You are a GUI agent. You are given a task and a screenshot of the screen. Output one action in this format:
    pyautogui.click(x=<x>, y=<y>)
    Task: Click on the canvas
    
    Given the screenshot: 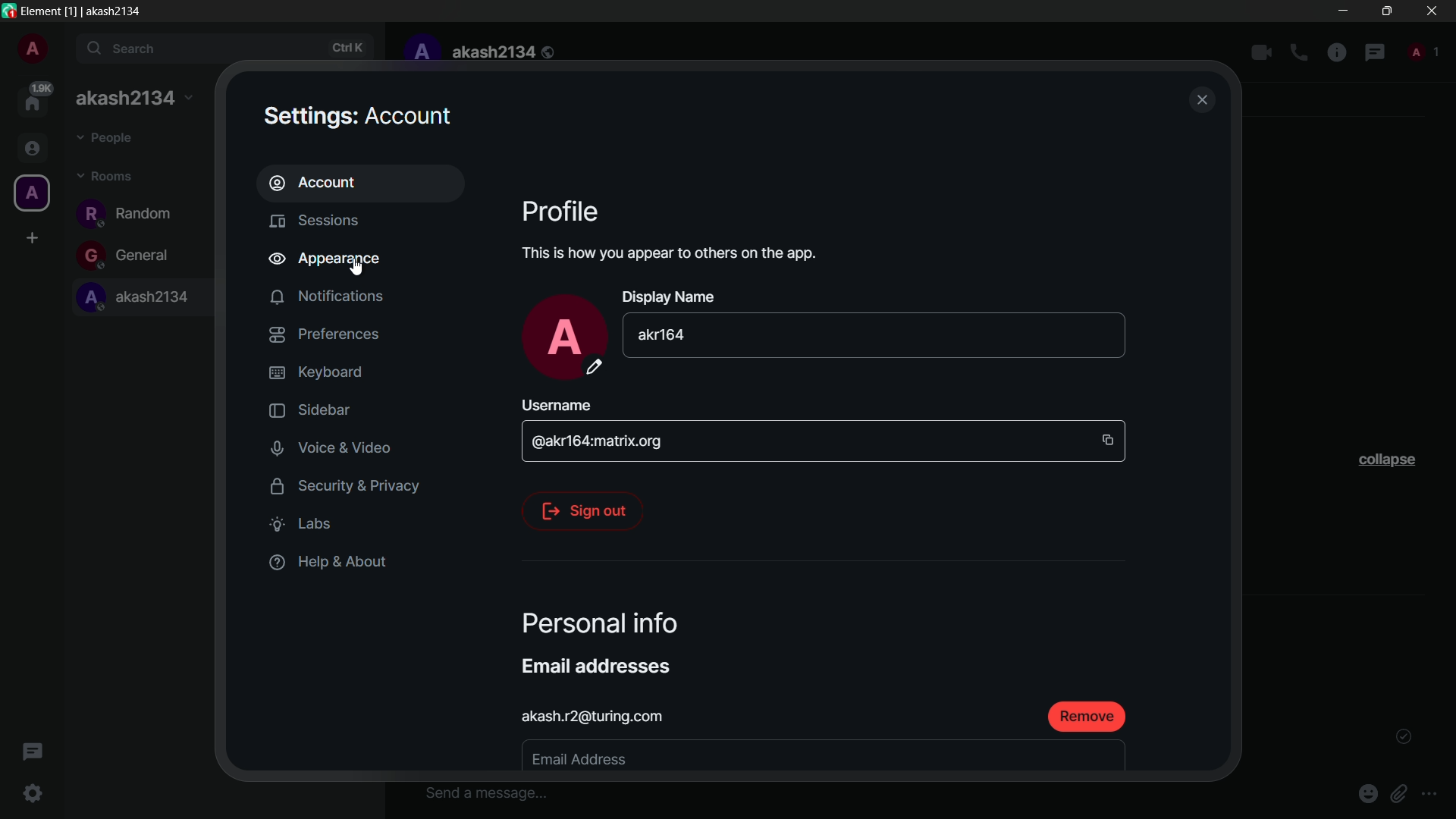 What is the action you would take?
    pyautogui.click(x=837, y=755)
    